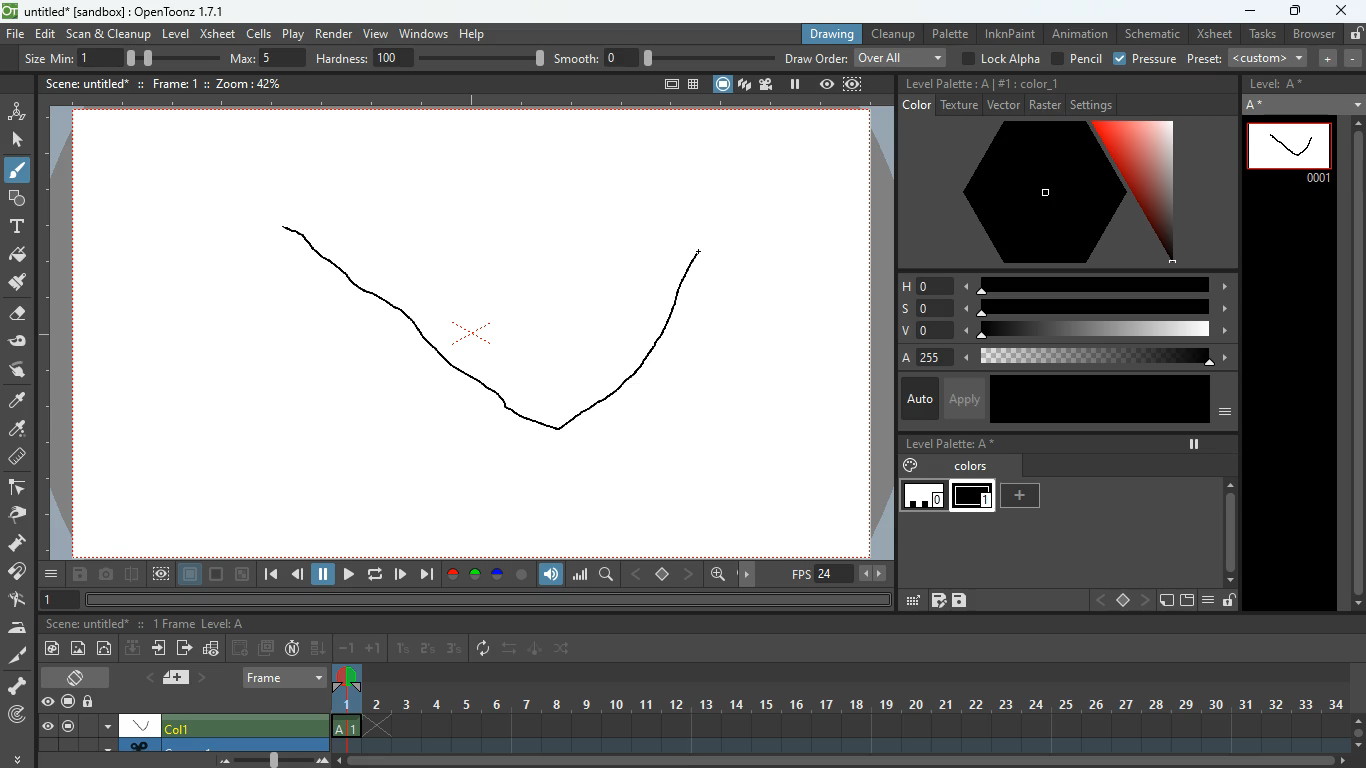 The width and height of the screenshot is (1366, 768). I want to click on click, so click(19, 140).